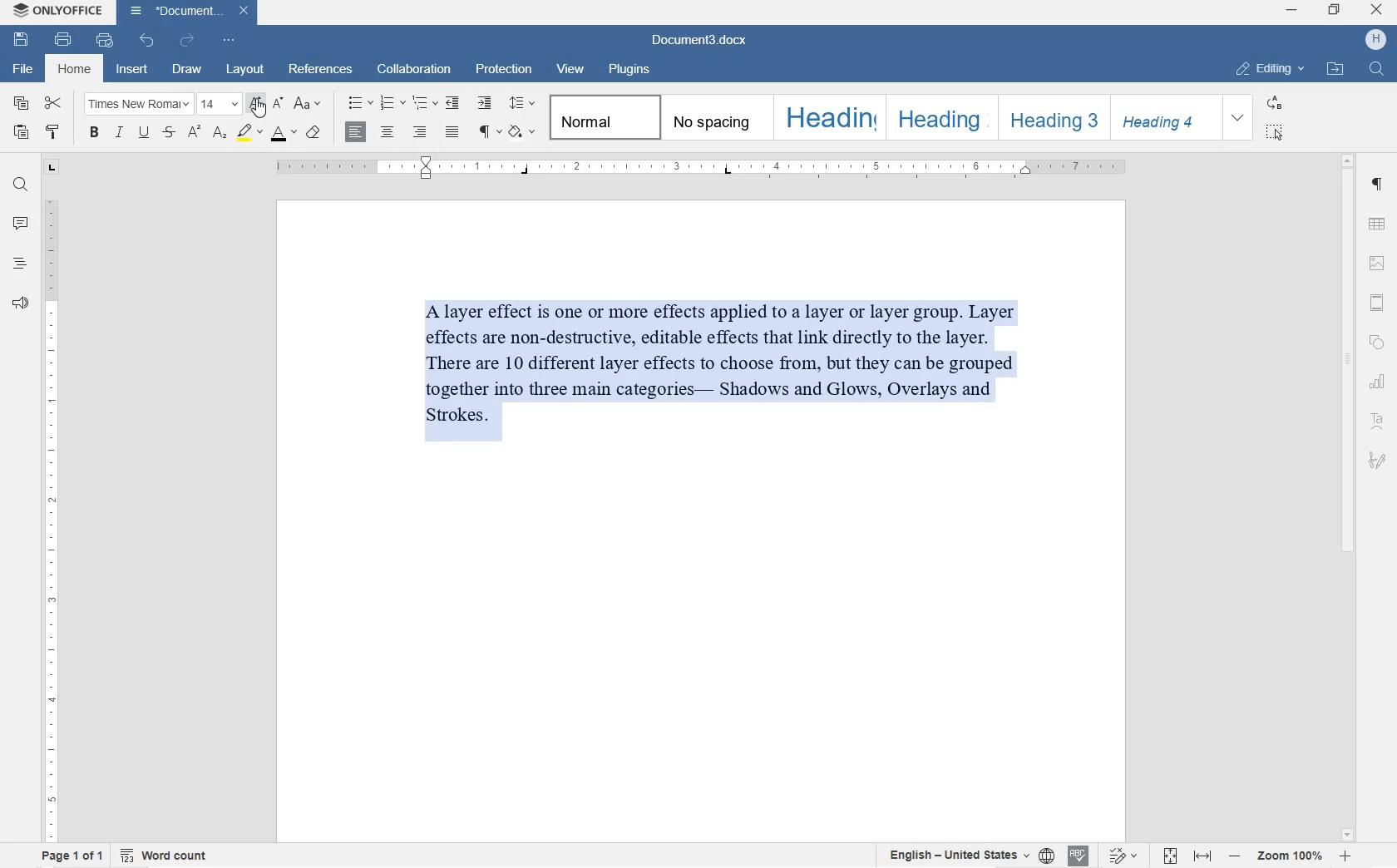 This screenshot has height=868, width=1397. I want to click on copy, so click(23, 104).